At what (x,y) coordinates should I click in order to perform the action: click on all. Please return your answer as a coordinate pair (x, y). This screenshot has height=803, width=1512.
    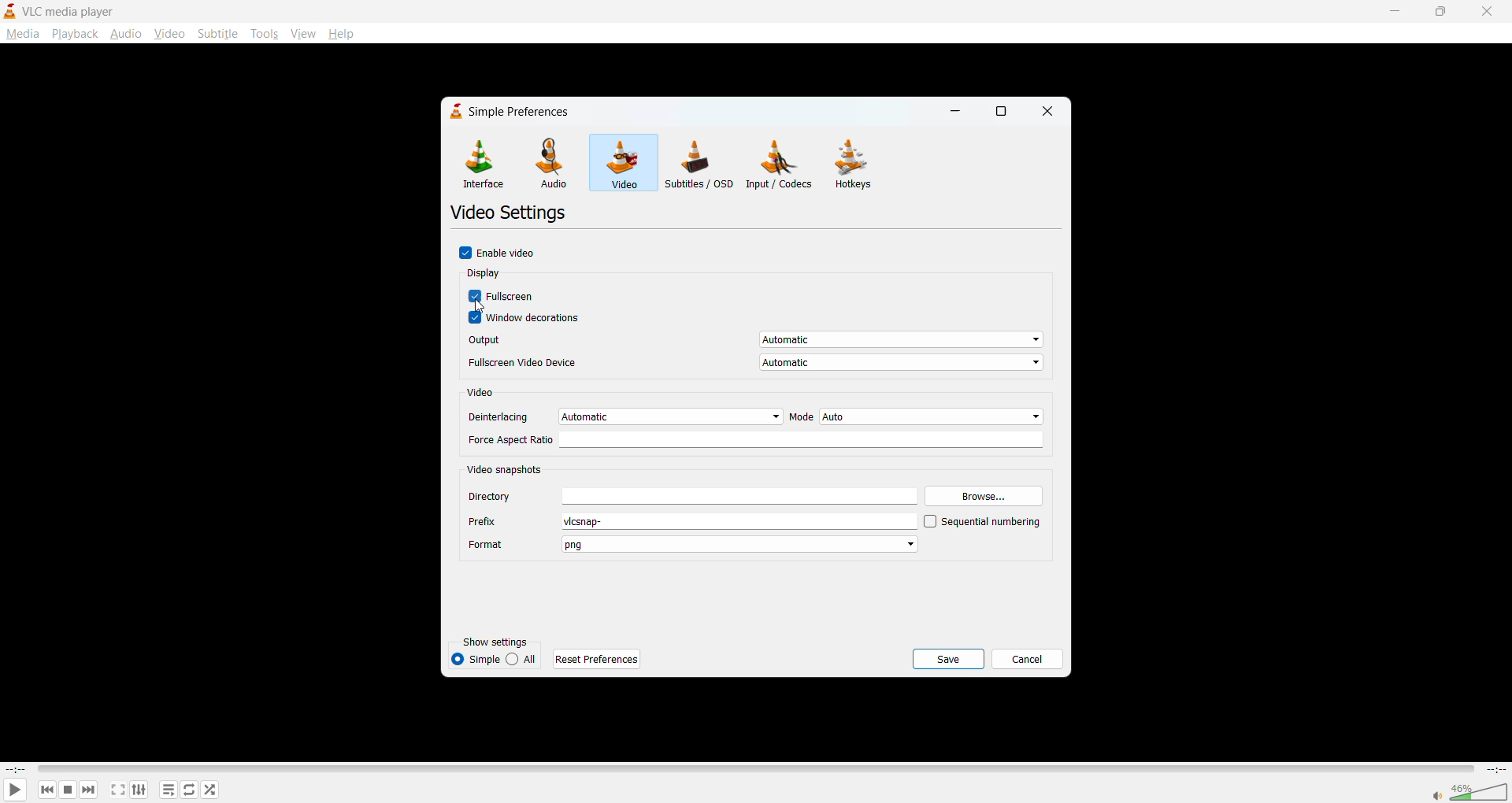
    Looking at the image, I should click on (524, 657).